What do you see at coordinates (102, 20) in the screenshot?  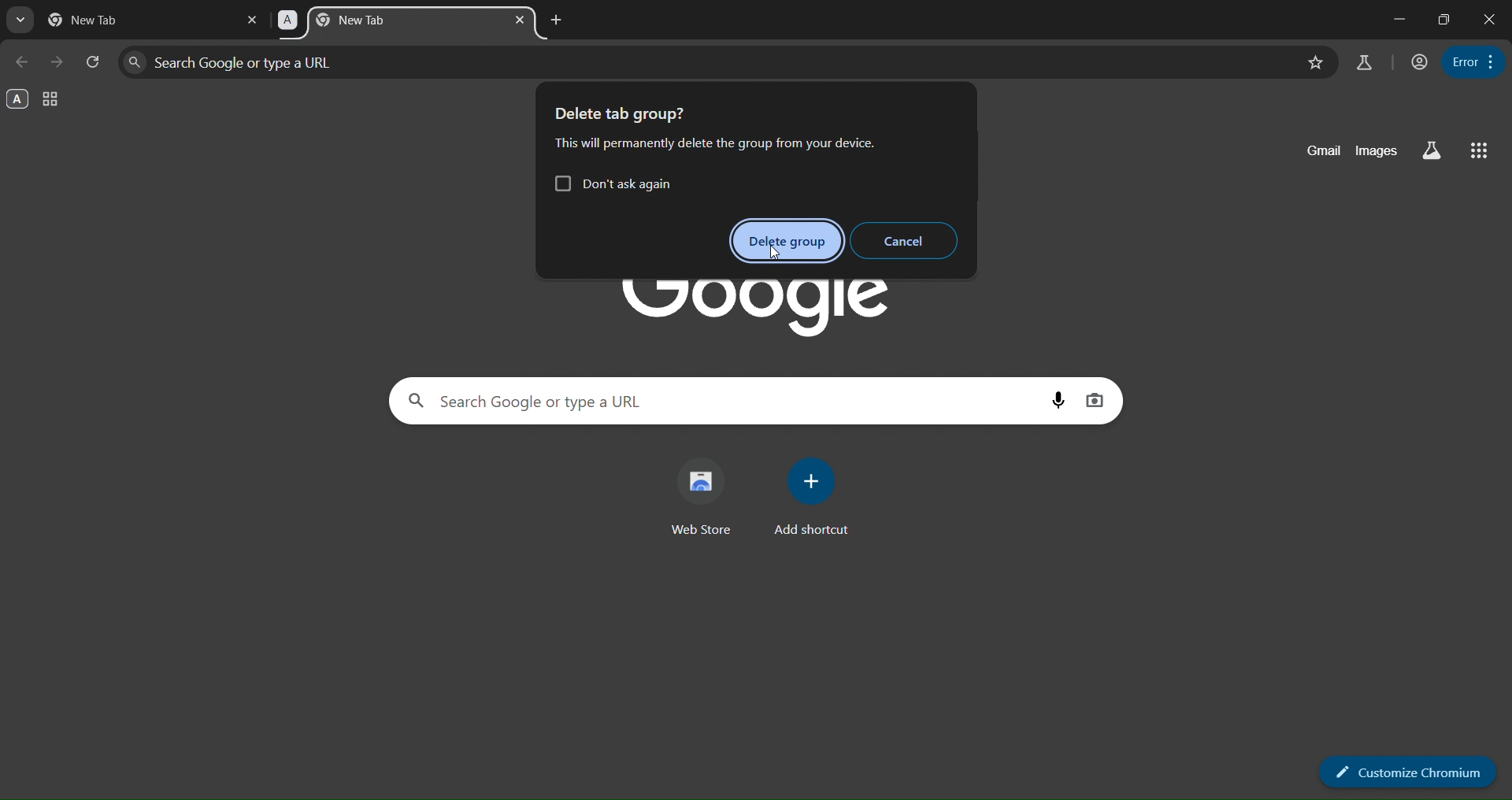 I see `new tab` at bounding box center [102, 20].